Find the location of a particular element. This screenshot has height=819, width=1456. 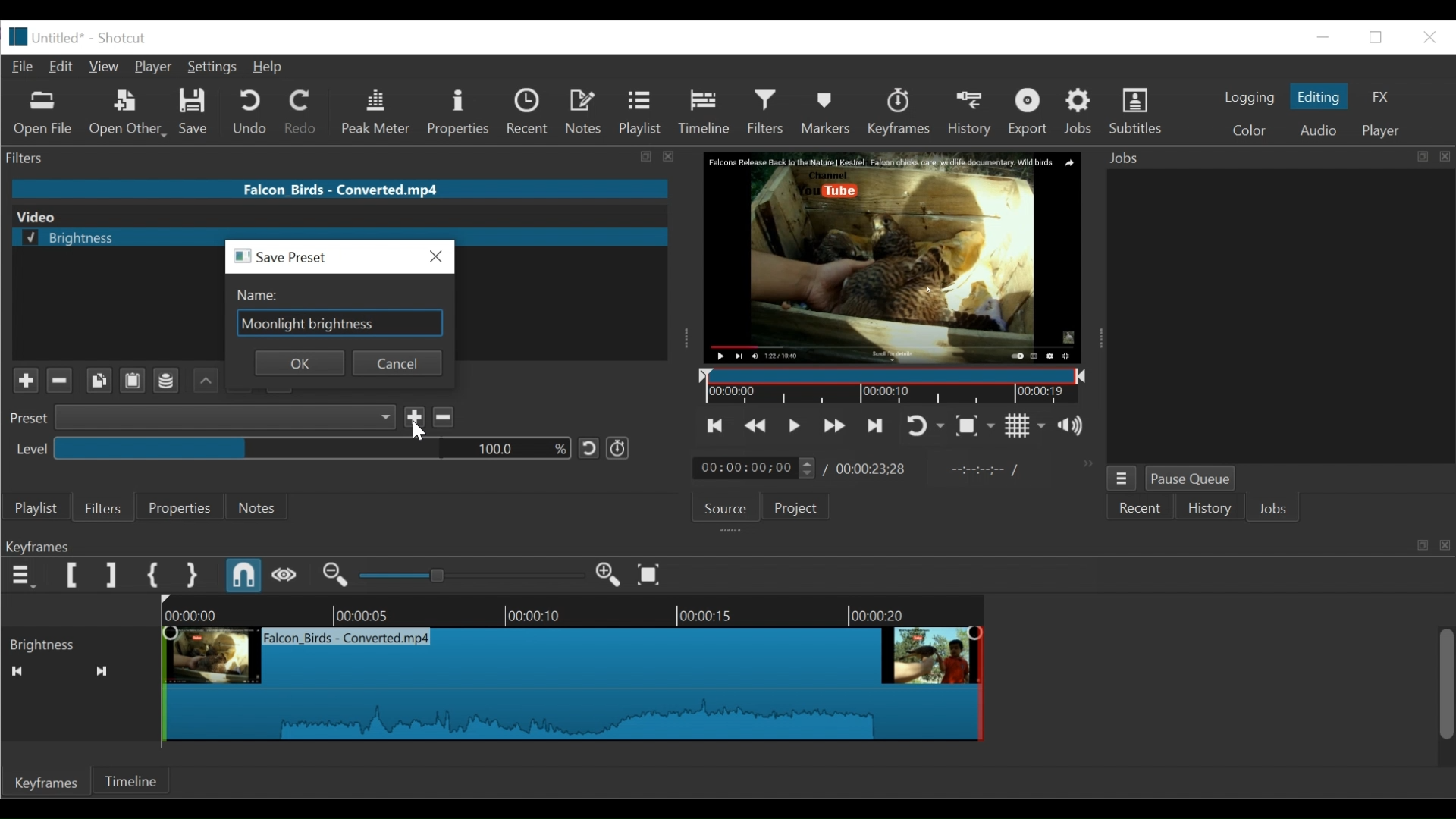

Preset dropdown menu is located at coordinates (226, 417).